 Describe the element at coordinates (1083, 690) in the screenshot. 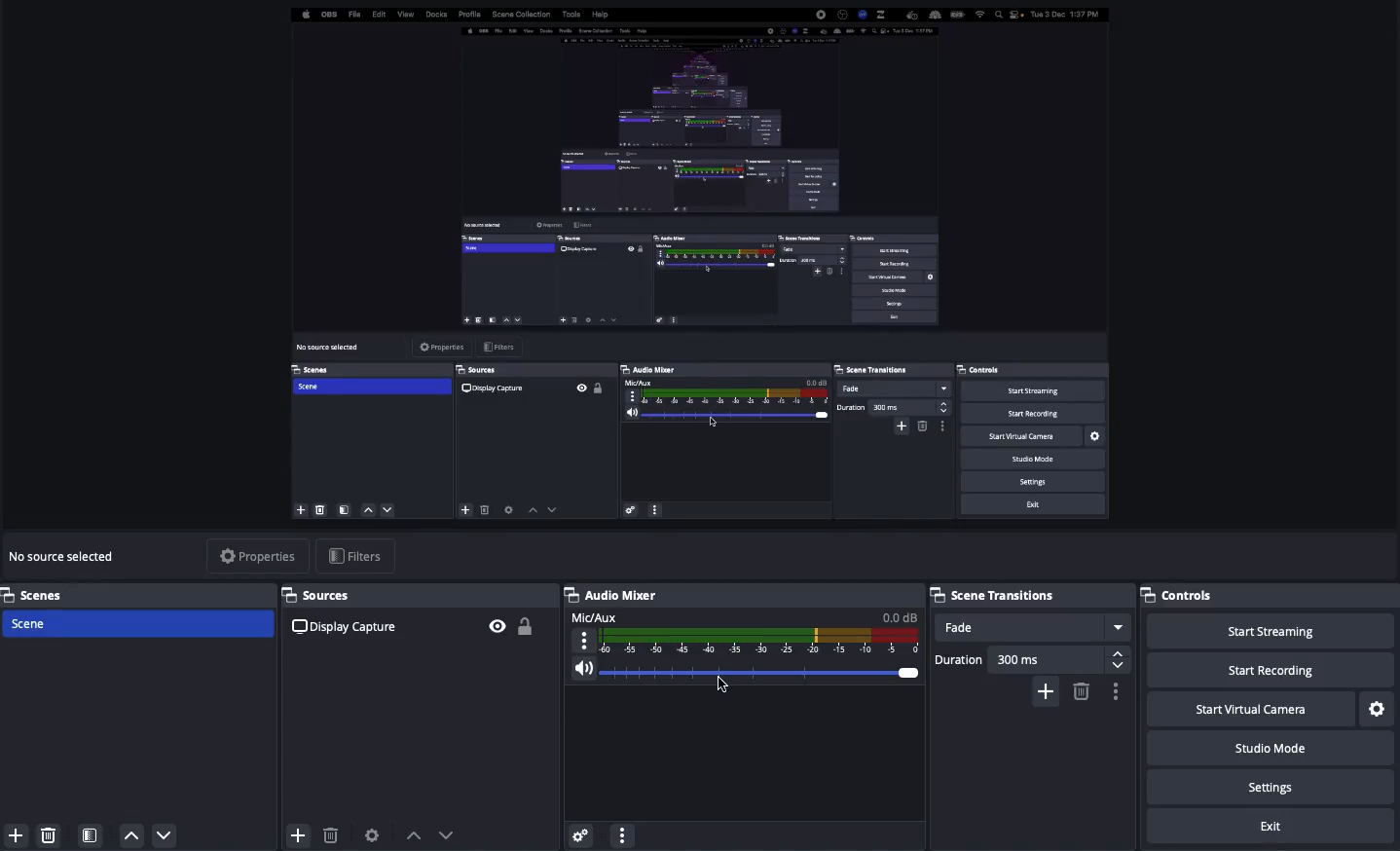

I see `Remove` at that location.